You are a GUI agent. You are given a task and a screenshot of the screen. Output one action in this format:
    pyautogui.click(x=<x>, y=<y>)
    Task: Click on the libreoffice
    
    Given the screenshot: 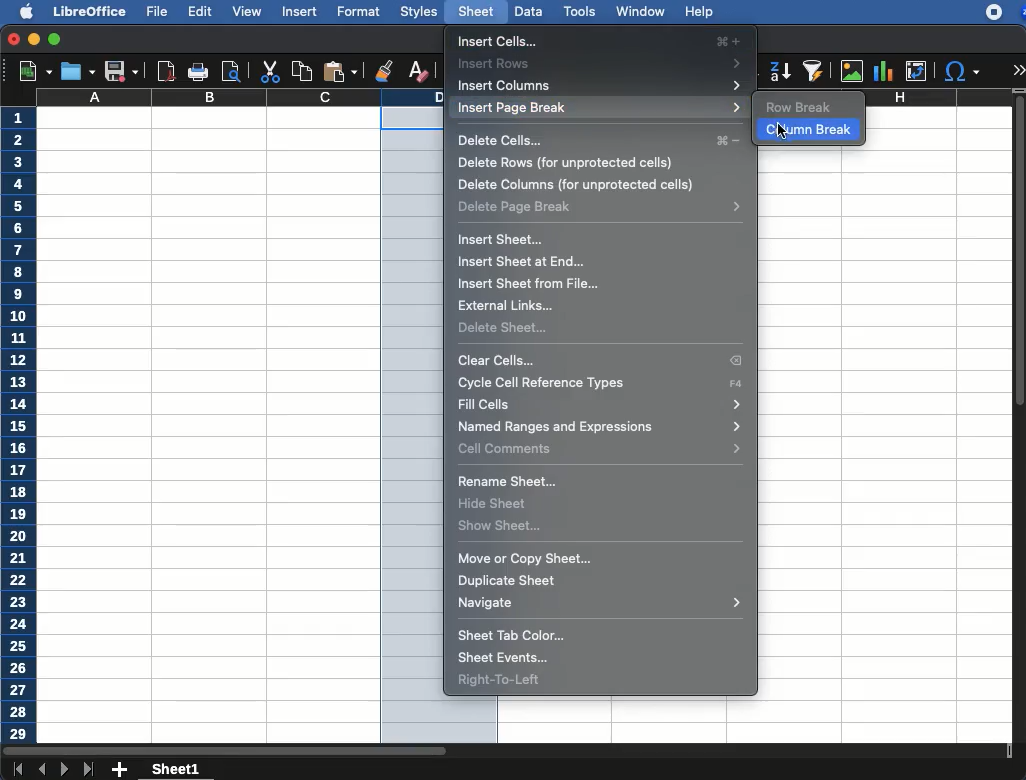 What is the action you would take?
    pyautogui.click(x=87, y=10)
    